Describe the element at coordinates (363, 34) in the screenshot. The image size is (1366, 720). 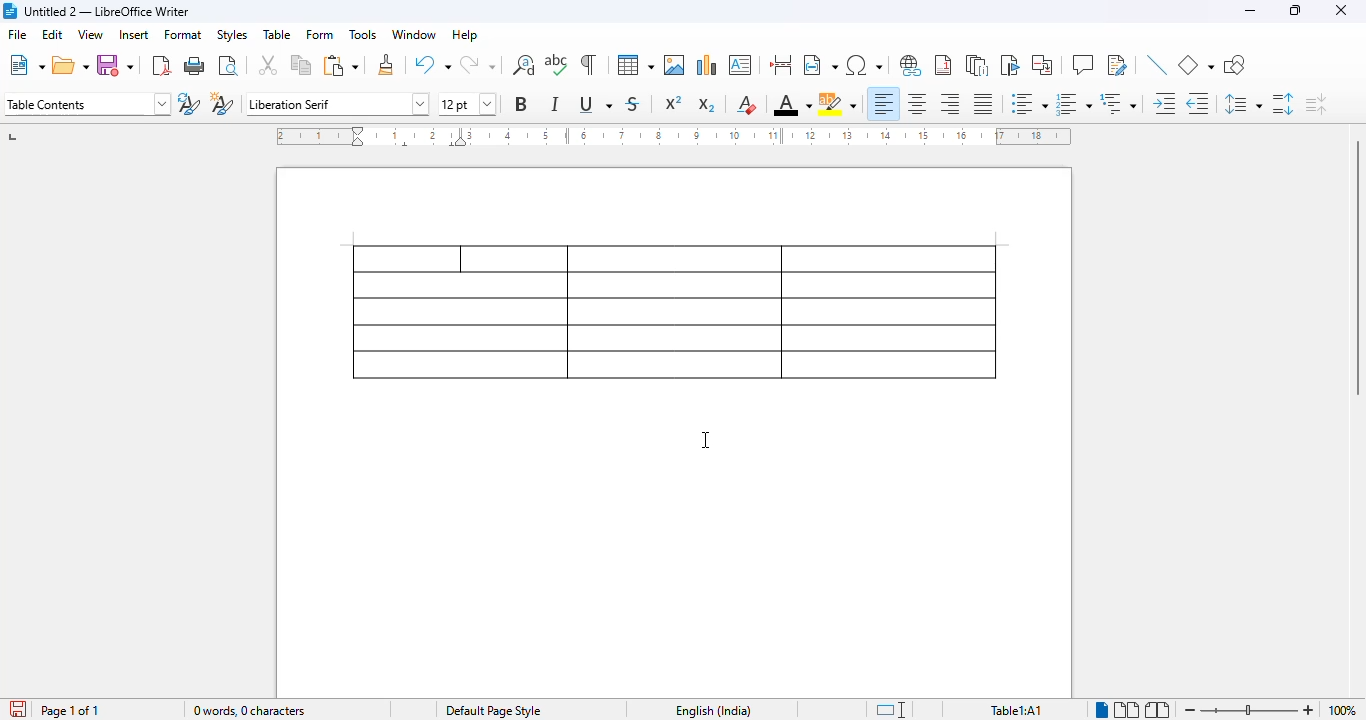
I see `tools` at that location.